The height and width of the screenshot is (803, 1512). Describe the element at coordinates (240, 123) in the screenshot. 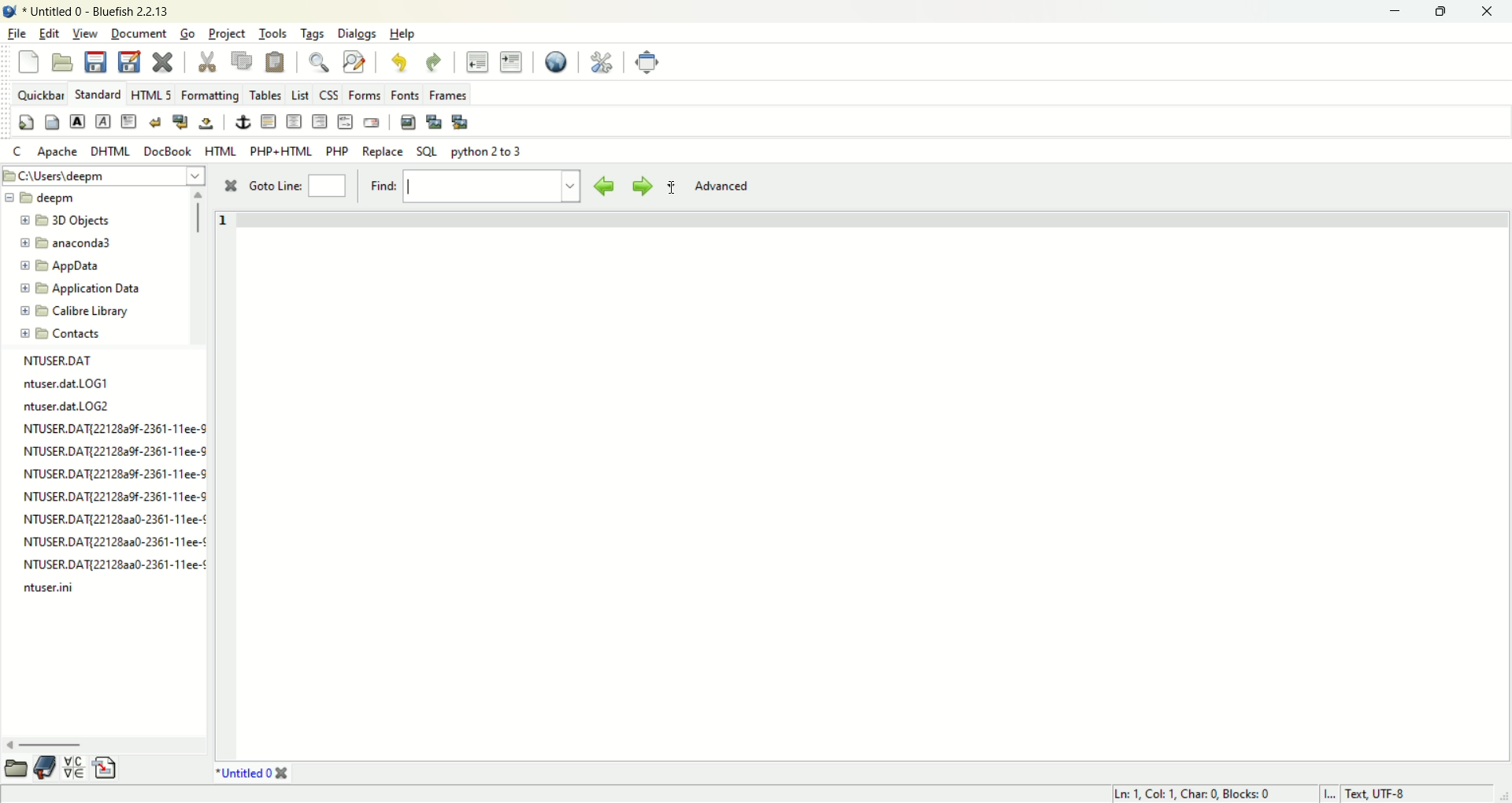

I see `anchor` at that location.